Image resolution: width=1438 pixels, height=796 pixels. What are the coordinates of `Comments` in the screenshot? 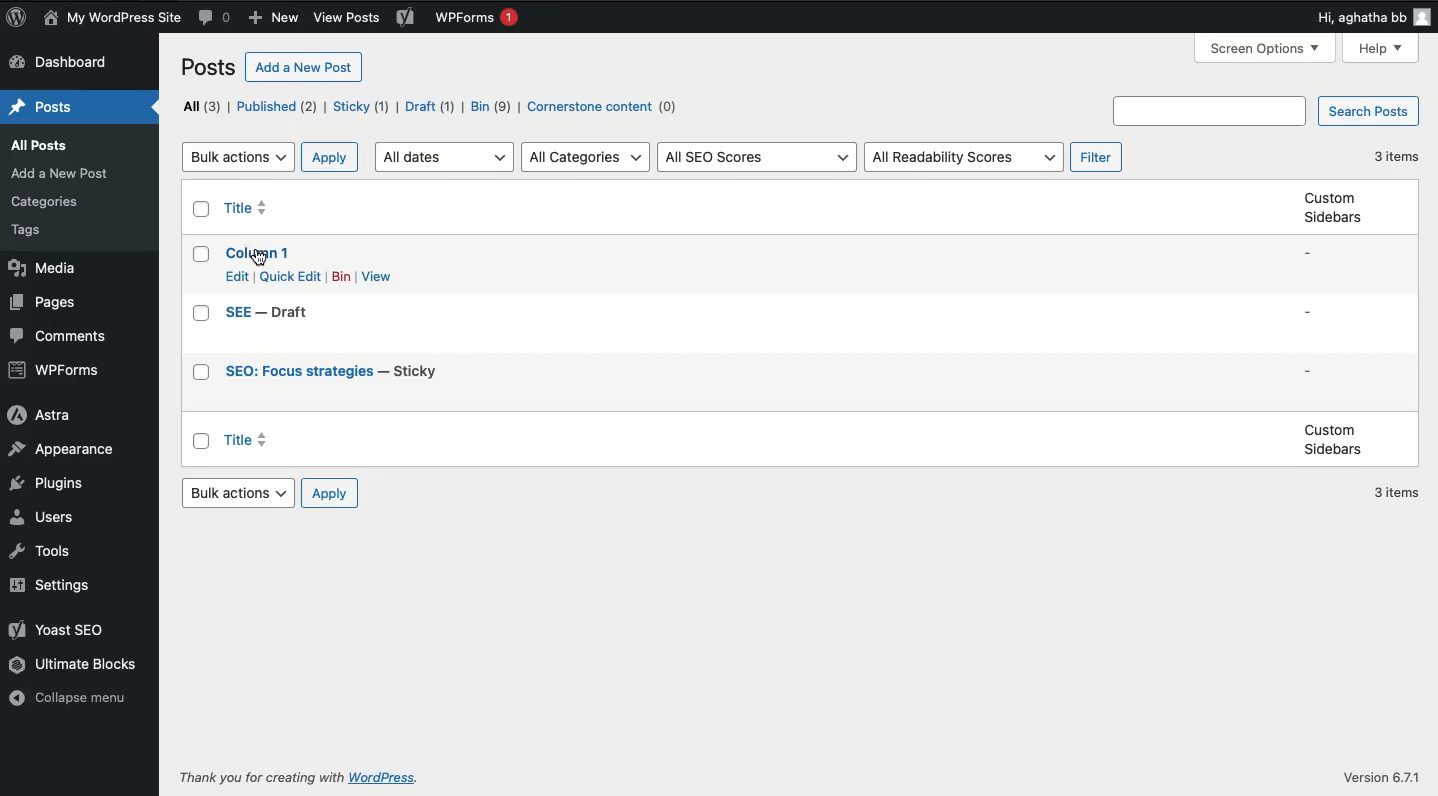 It's located at (64, 335).